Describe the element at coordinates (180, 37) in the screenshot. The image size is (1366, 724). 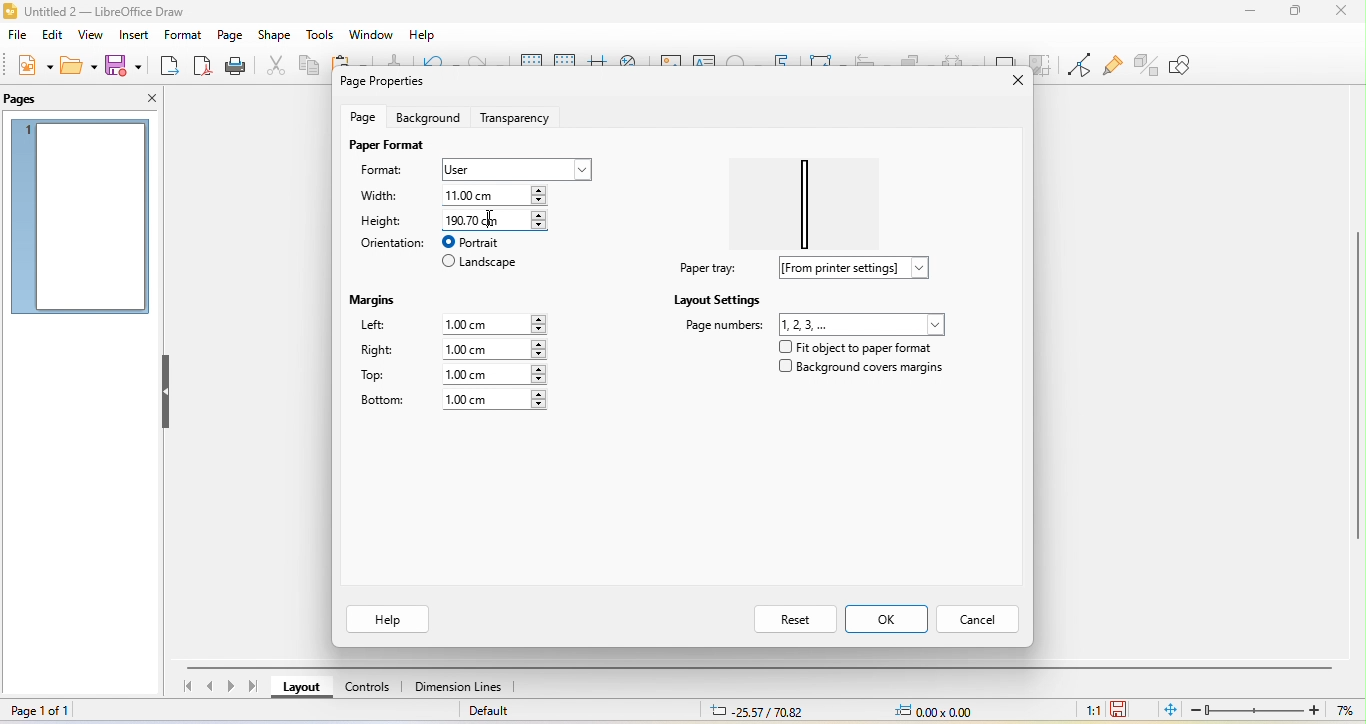
I see `format` at that location.